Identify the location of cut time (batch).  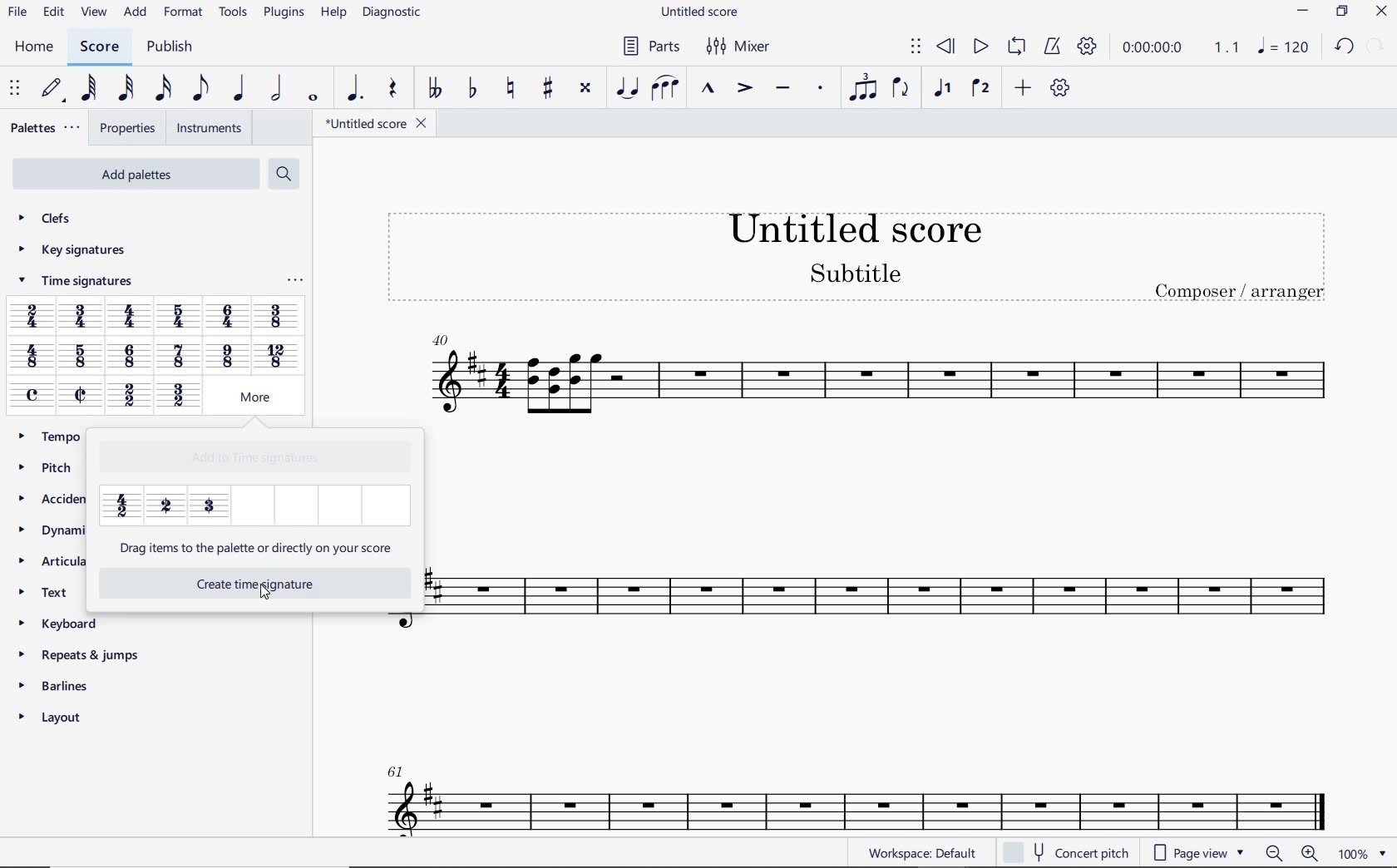
(165, 506).